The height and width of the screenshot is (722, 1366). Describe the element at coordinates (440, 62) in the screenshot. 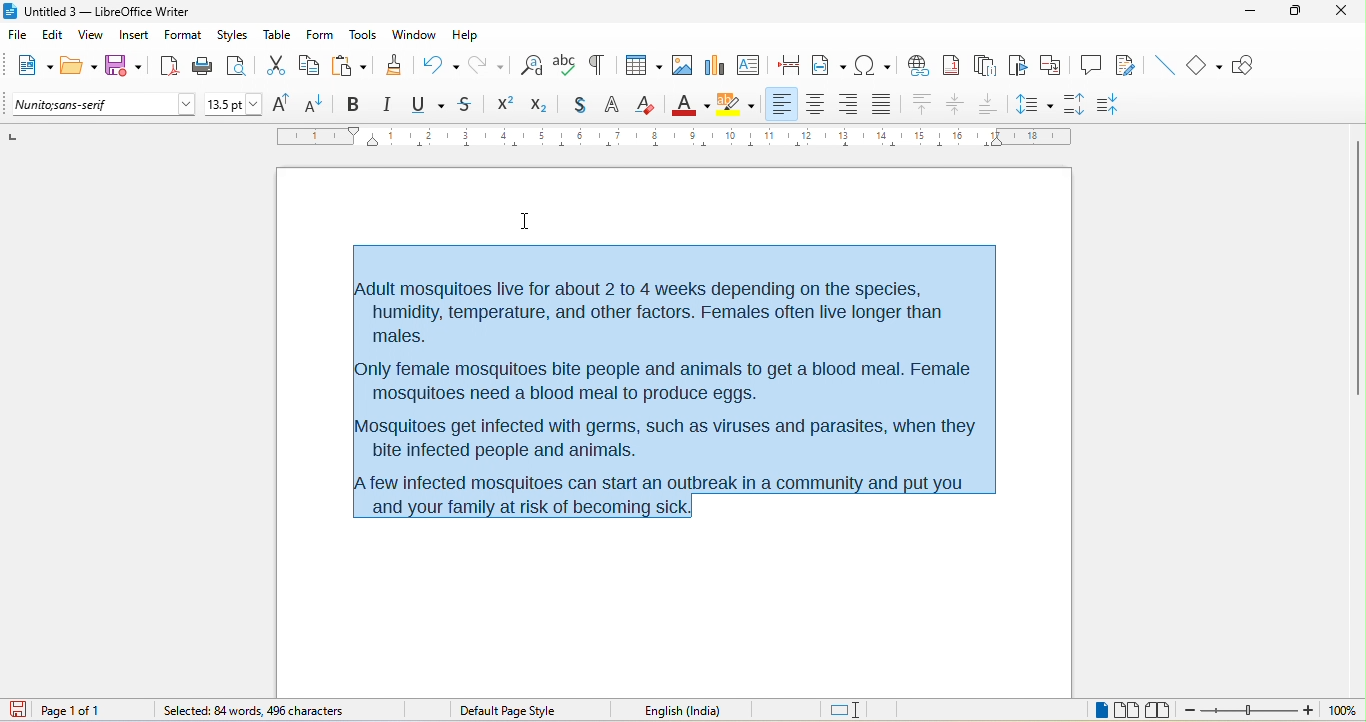

I see `undo` at that location.